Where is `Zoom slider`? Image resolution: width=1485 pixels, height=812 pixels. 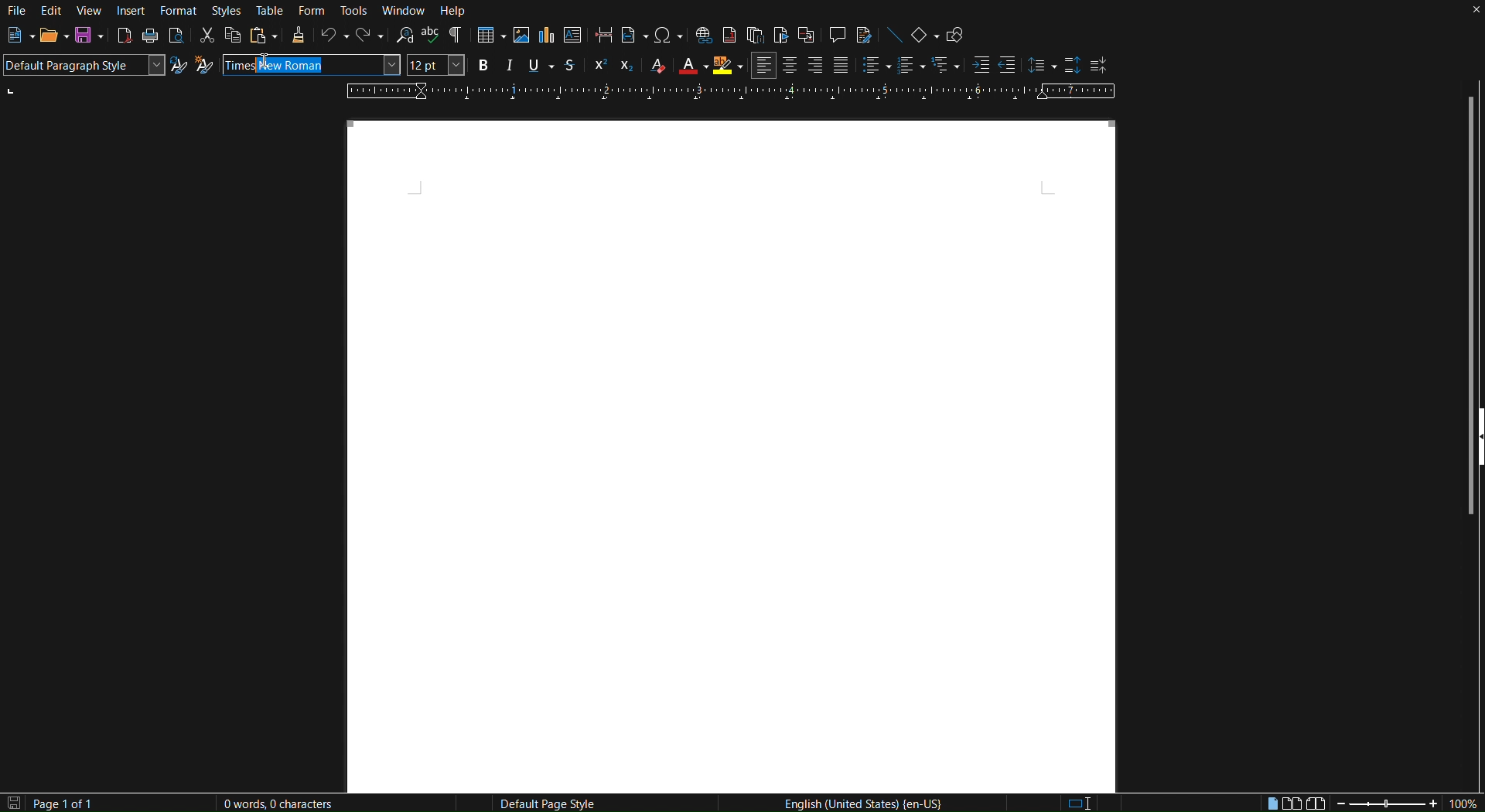 Zoom slider is located at coordinates (1384, 804).